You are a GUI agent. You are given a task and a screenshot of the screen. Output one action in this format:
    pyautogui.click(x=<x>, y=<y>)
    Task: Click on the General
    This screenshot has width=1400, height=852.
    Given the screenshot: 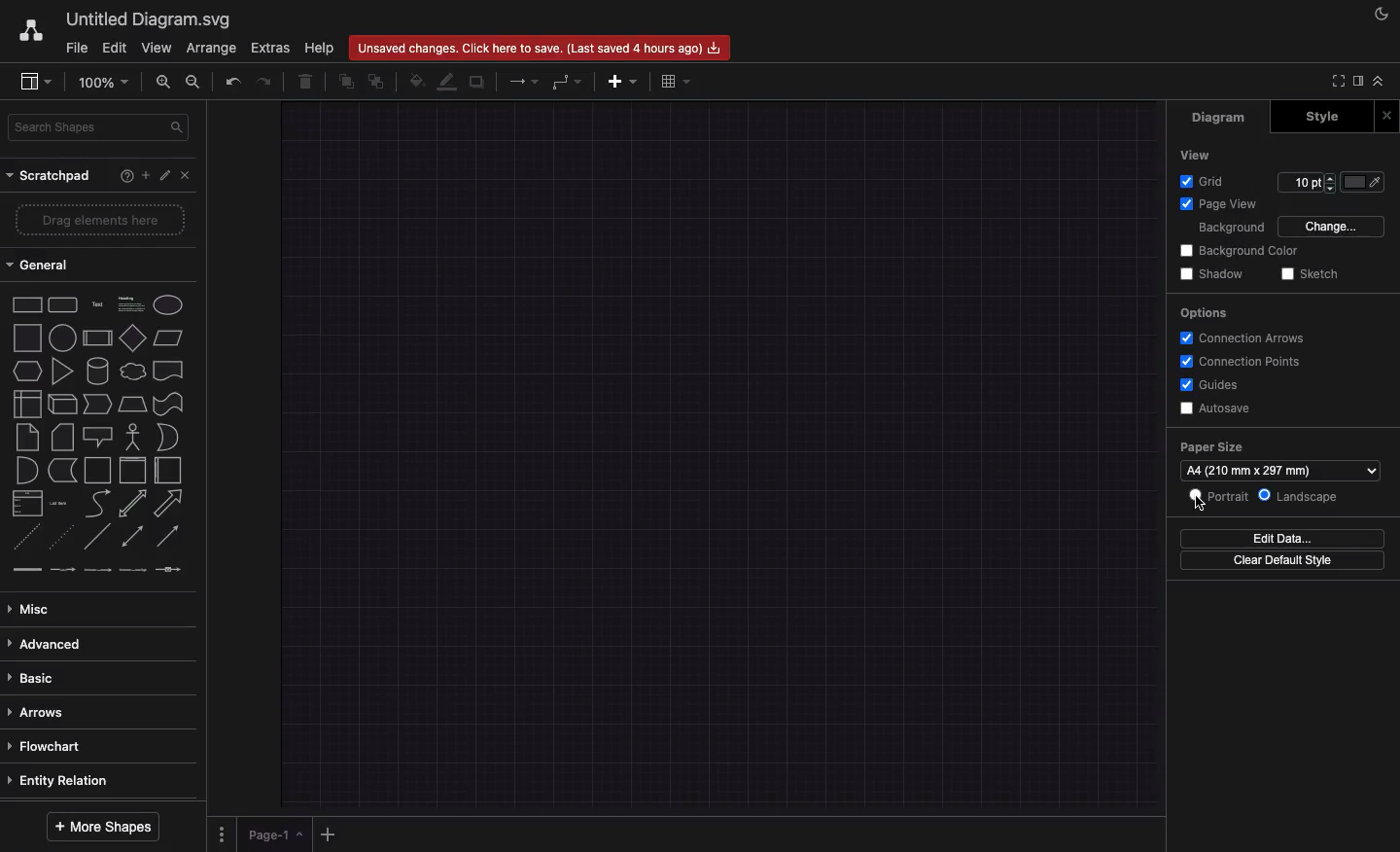 What is the action you would take?
    pyautogui.click(x=42, y=264)
    